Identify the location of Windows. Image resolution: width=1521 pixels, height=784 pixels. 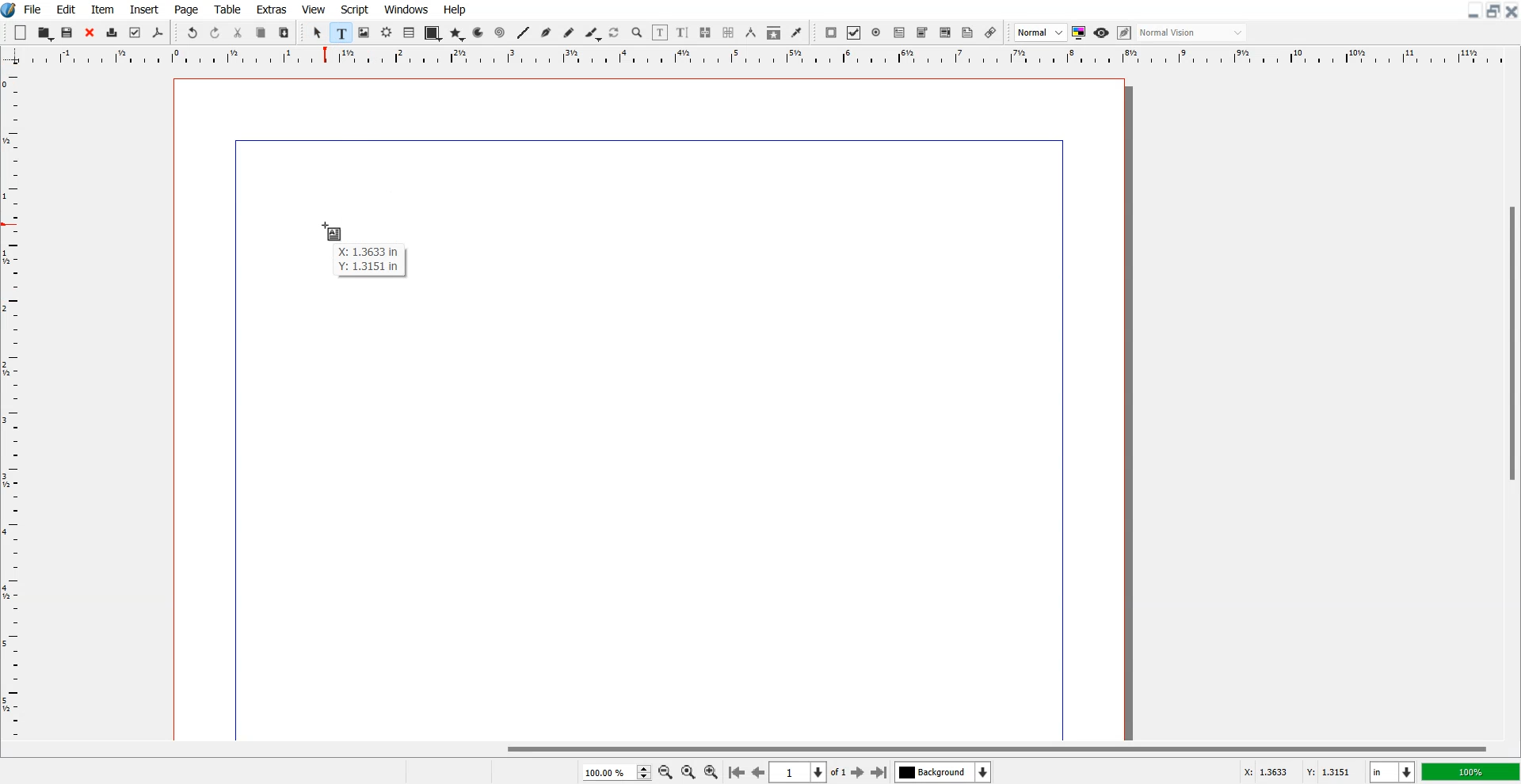
(407, 9).